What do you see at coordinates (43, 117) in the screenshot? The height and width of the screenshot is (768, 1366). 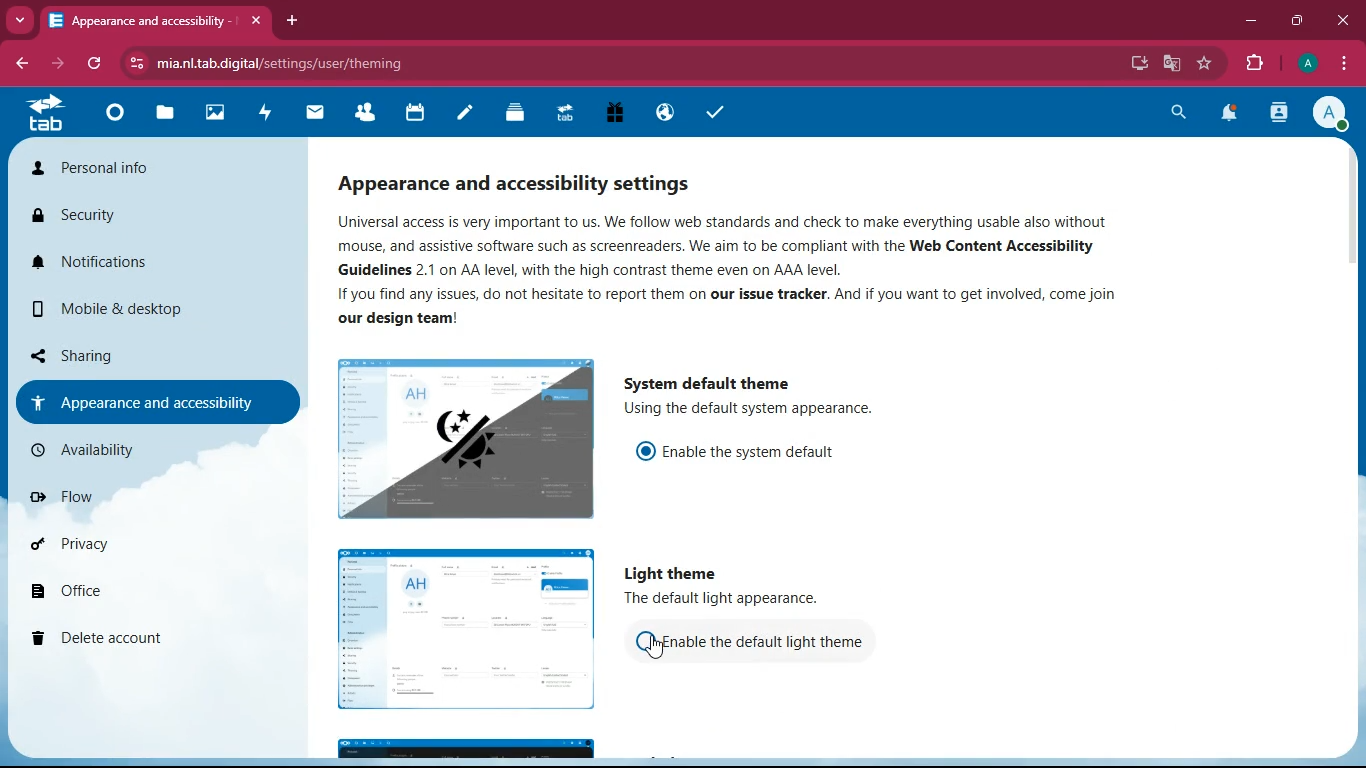 I see `tab` at bounding box center [43, 117].